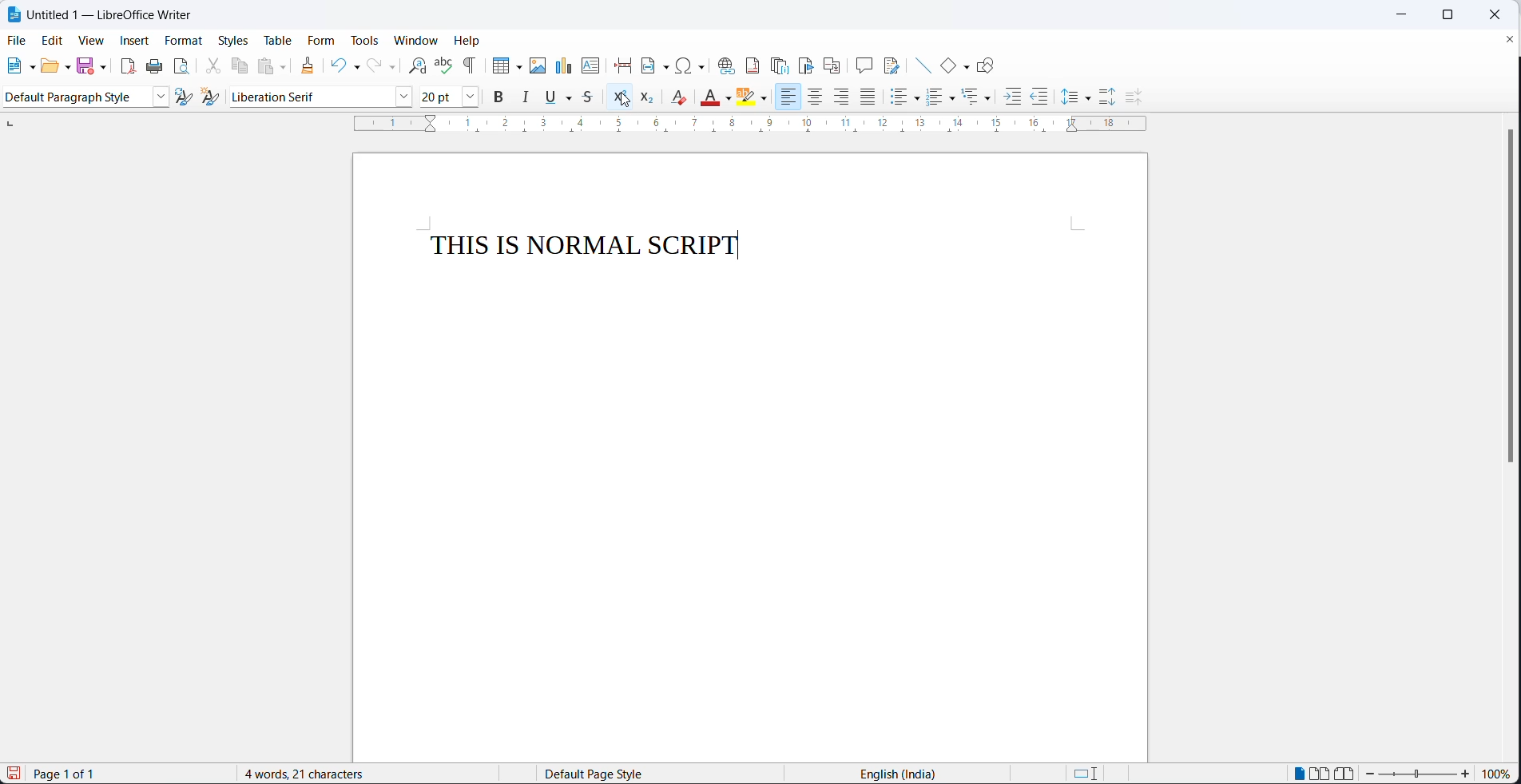 This screenshot has height=784, width=1521. What do you see at coordinates (1464, 775) in the screenshot?
I see `zoom decrease` at bounding box center [1464, 775].